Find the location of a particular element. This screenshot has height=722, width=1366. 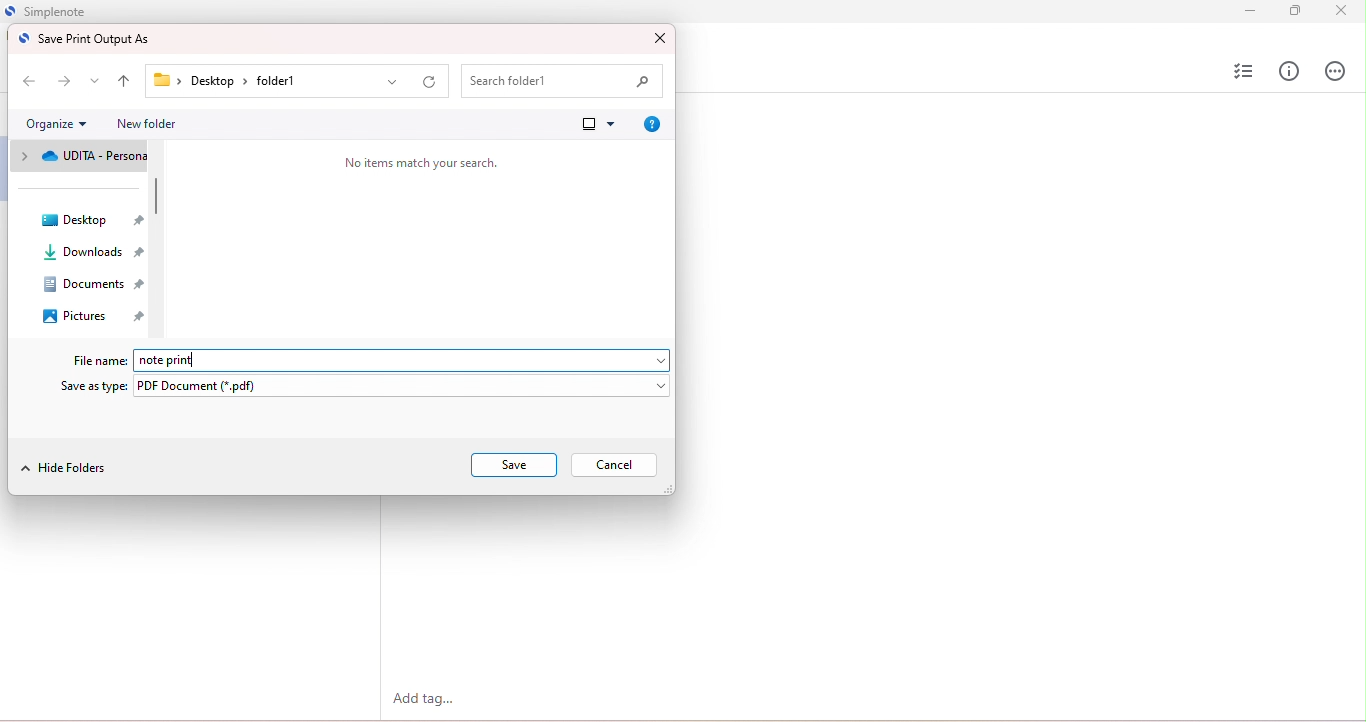

minimize is located at coordinates (1244, 10).